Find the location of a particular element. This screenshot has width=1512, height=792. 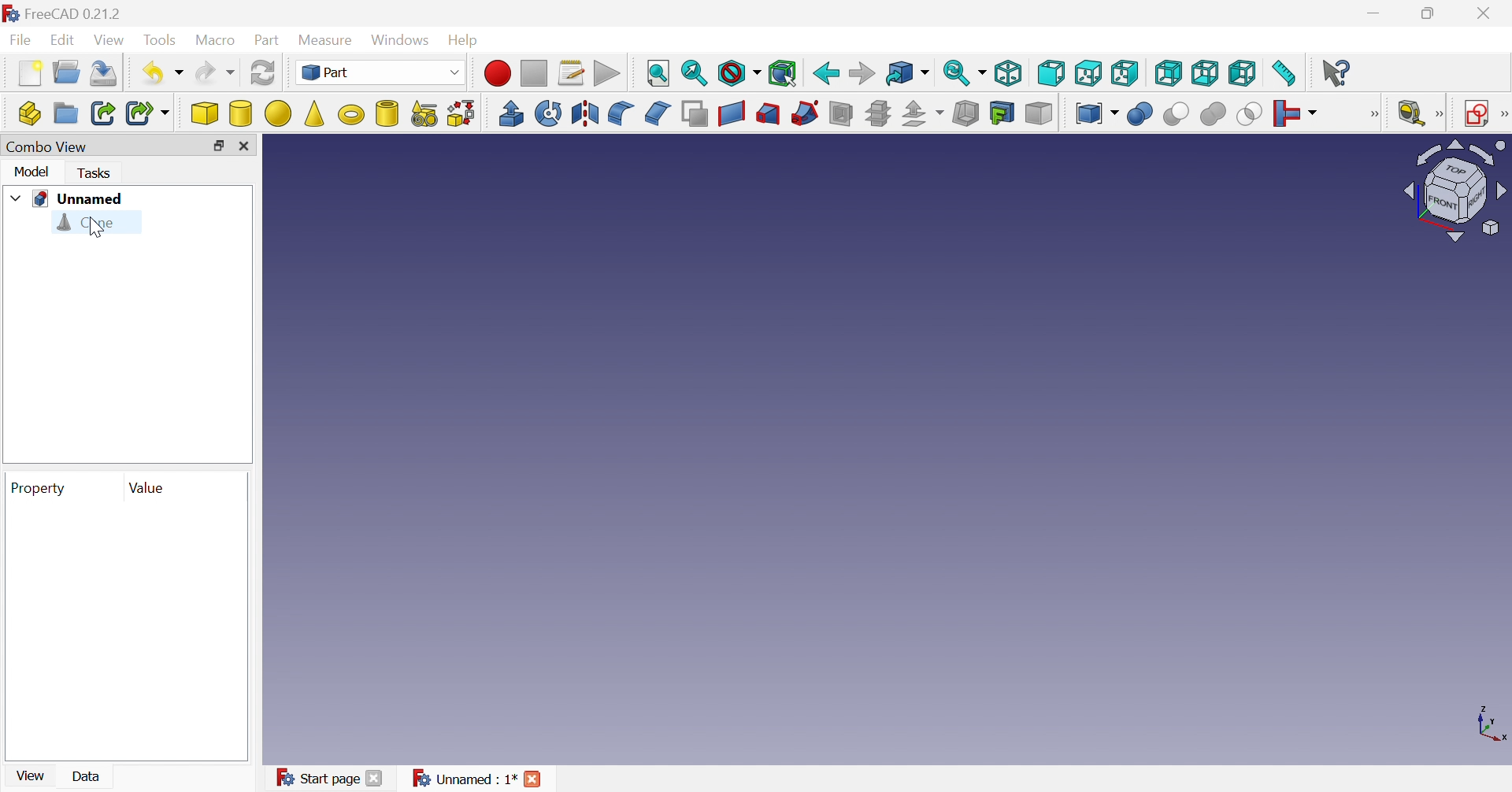

Close is located at coordinates (1489, 13).